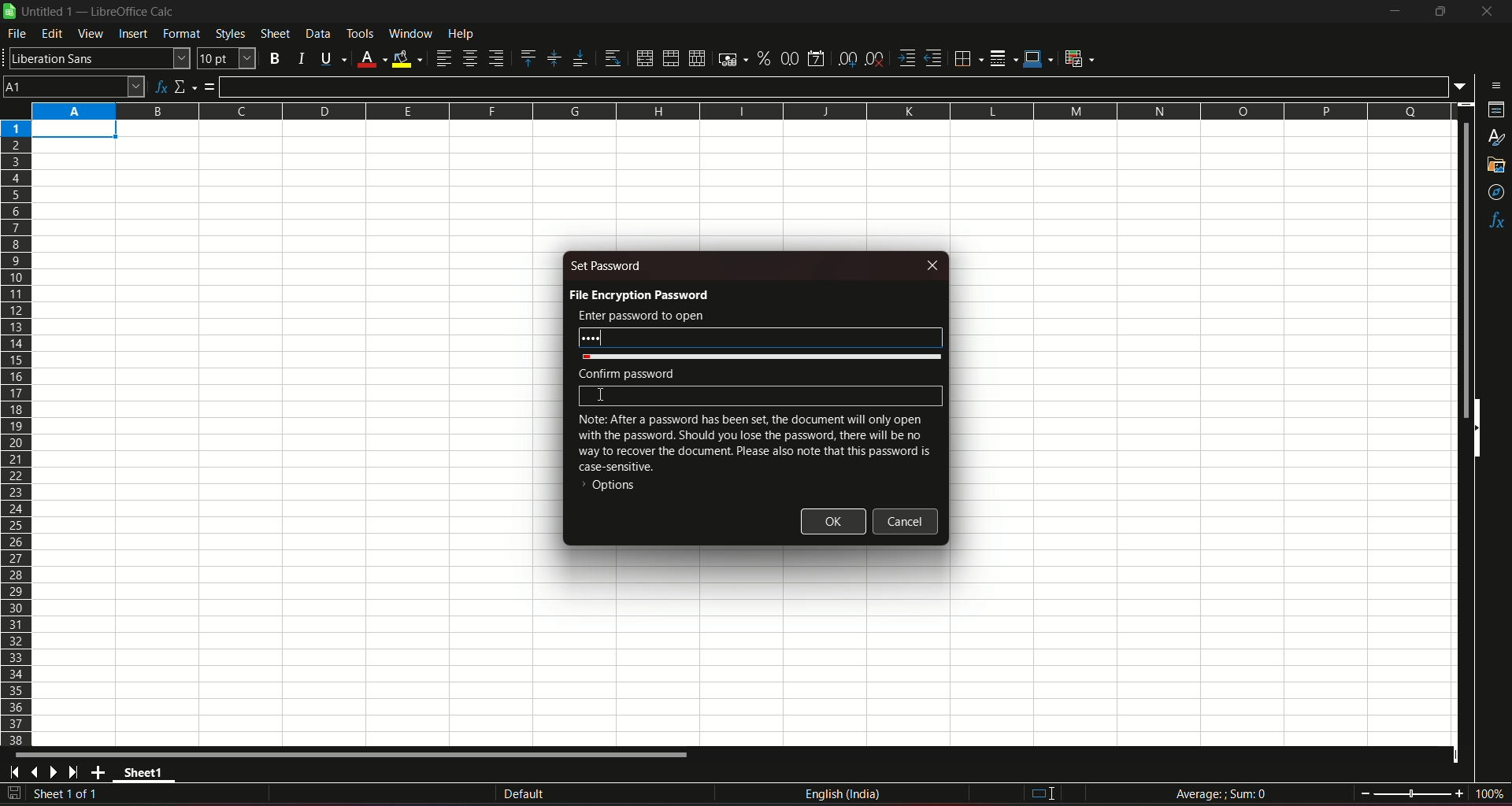  I want to click on cursor, so click(601, 396).